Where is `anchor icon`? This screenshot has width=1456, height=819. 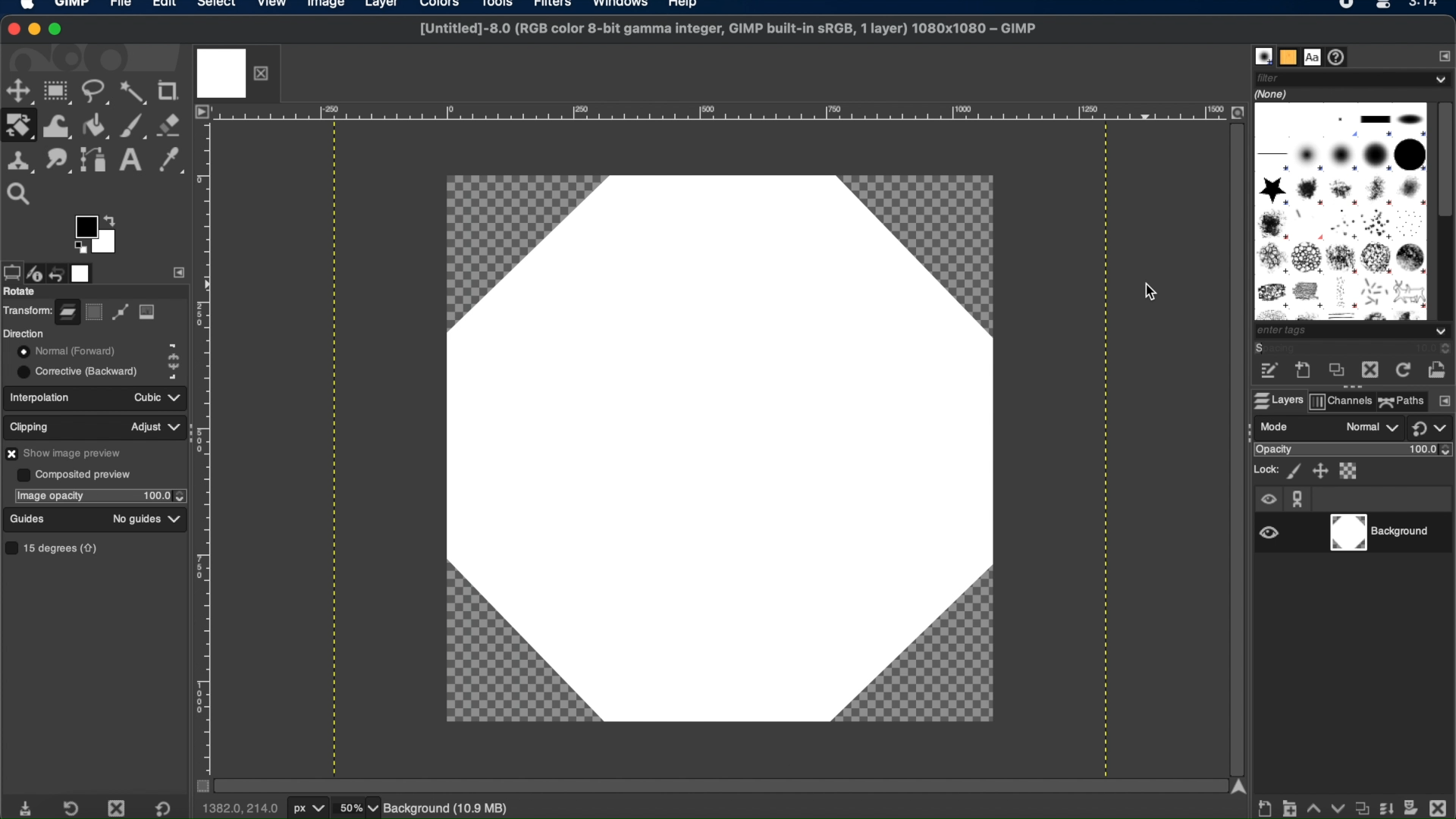 anchor icon is located at coordinates (1299, 499).